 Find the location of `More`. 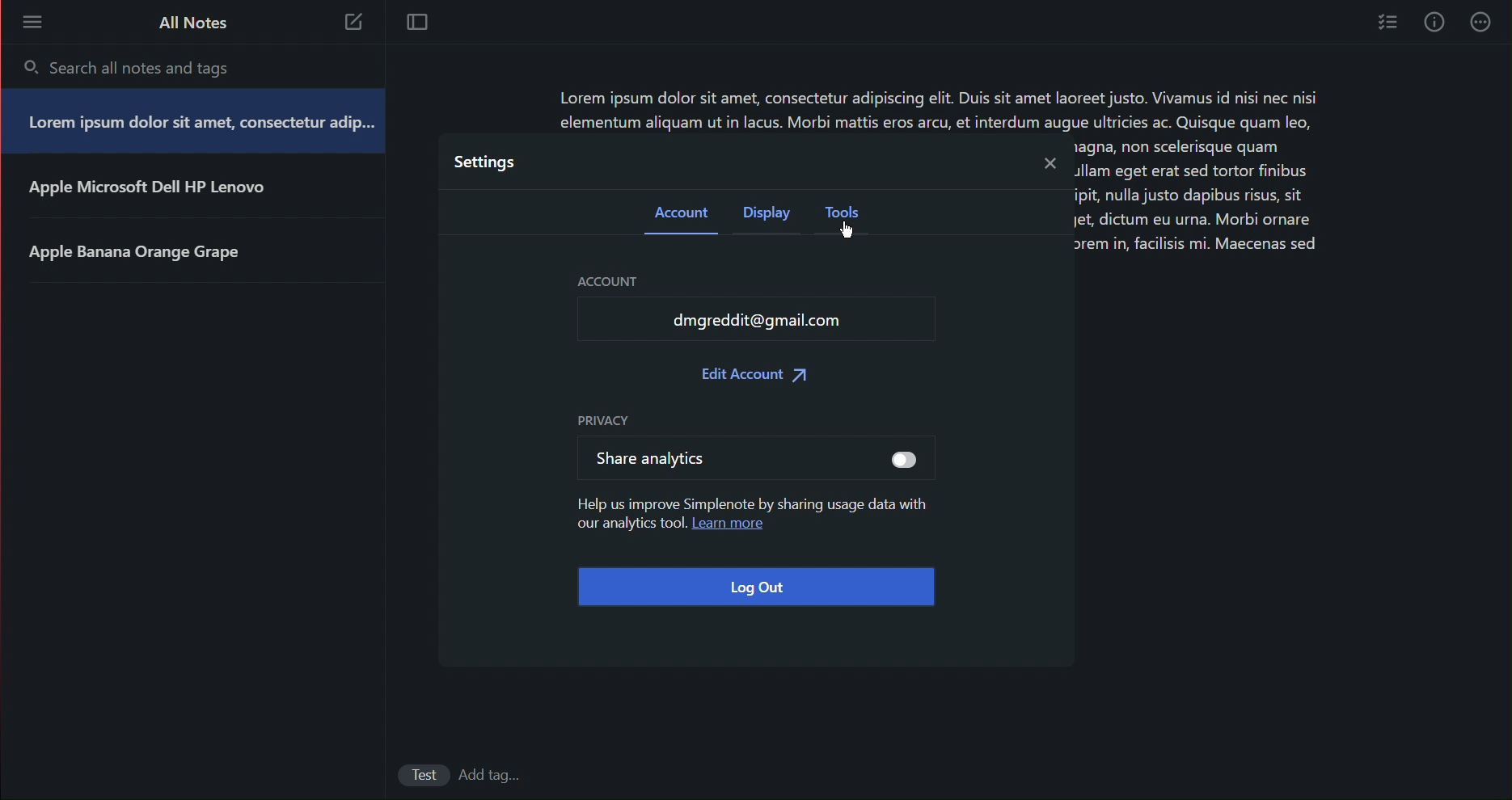

More is located at coordinates (1483, 23).